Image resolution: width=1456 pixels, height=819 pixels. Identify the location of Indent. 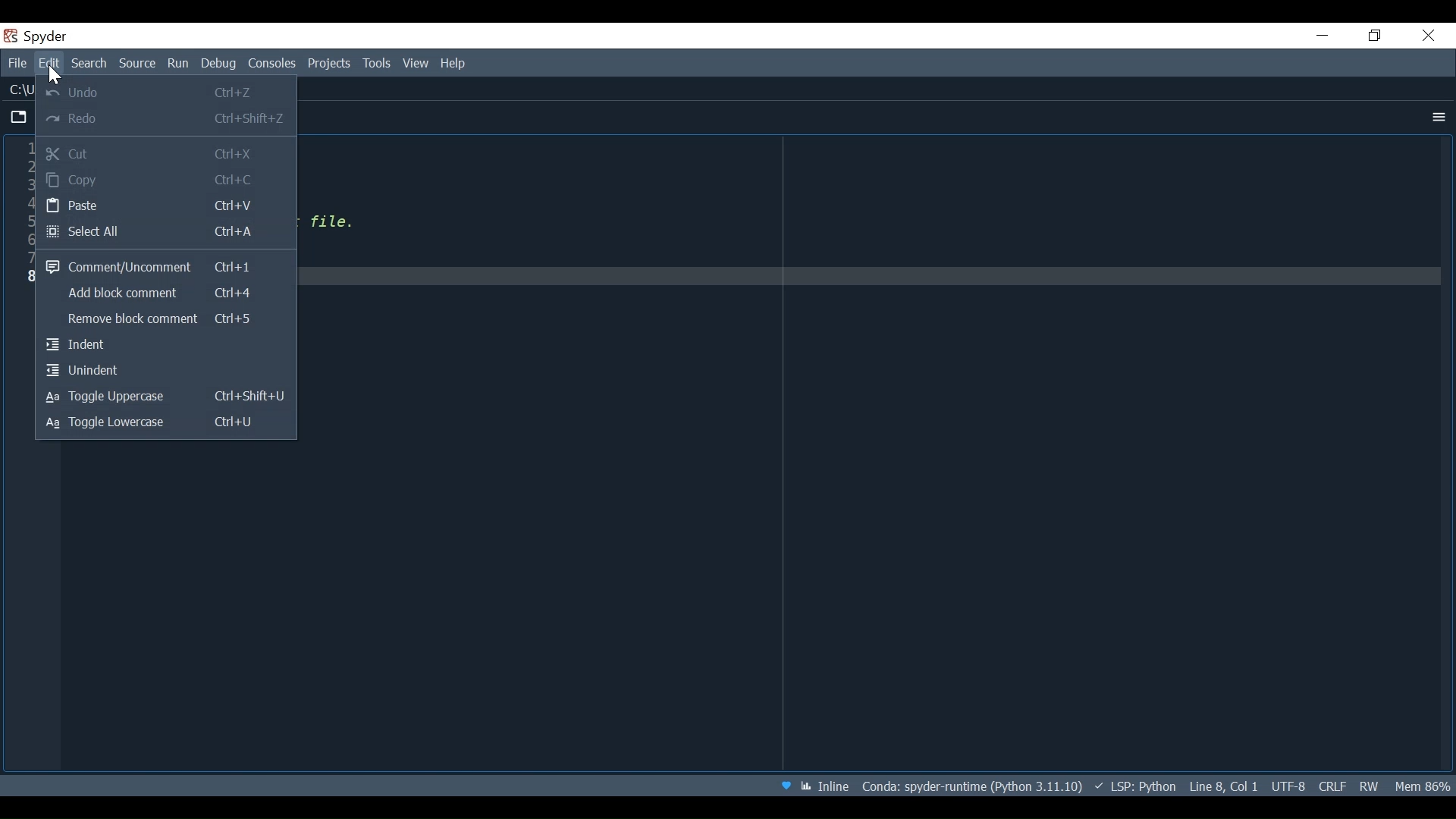
(165, 346).